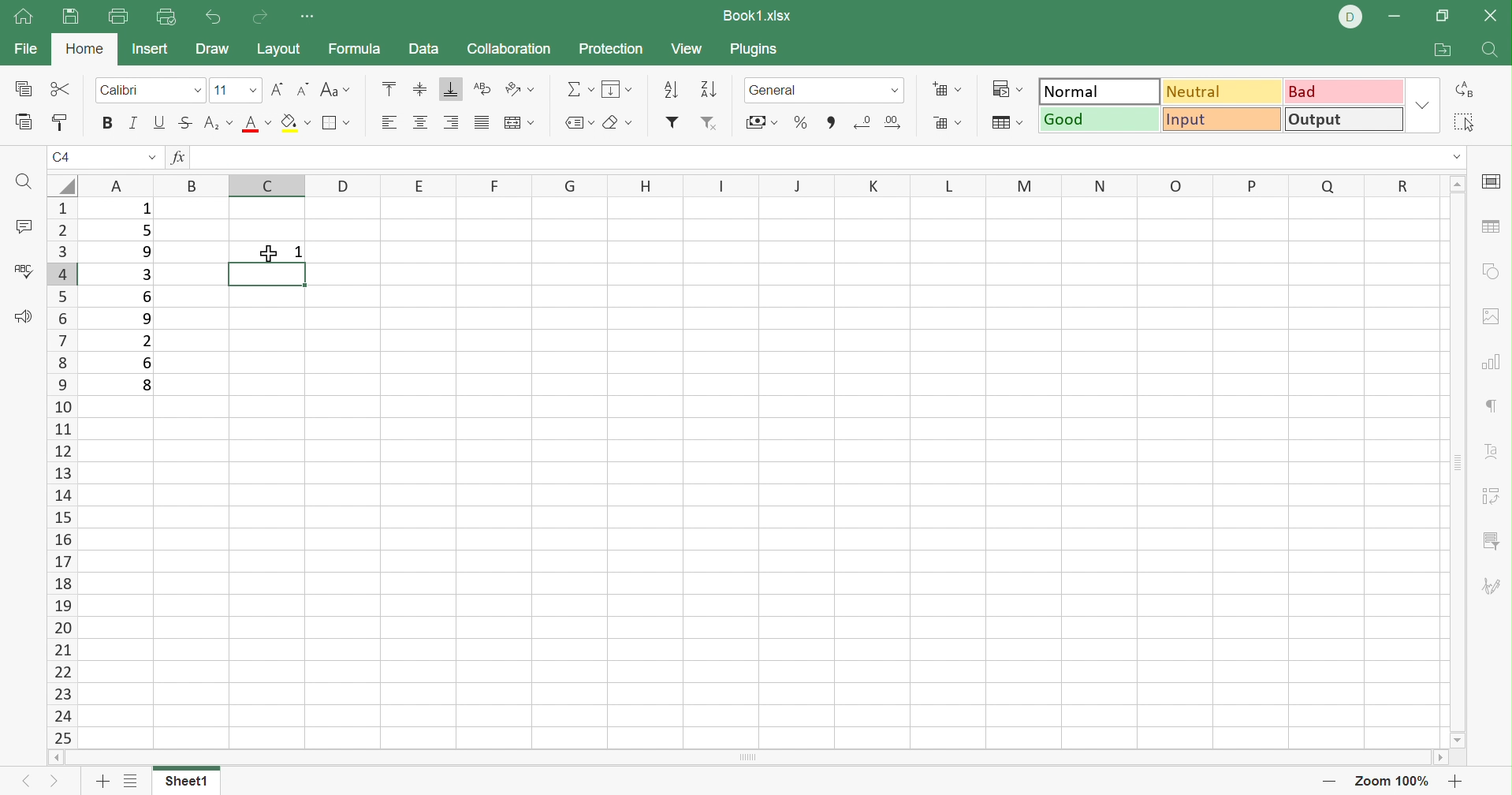 The width and height of the screenshot is (1512, 795). I want to click on Sheet1, so click(191, 780).